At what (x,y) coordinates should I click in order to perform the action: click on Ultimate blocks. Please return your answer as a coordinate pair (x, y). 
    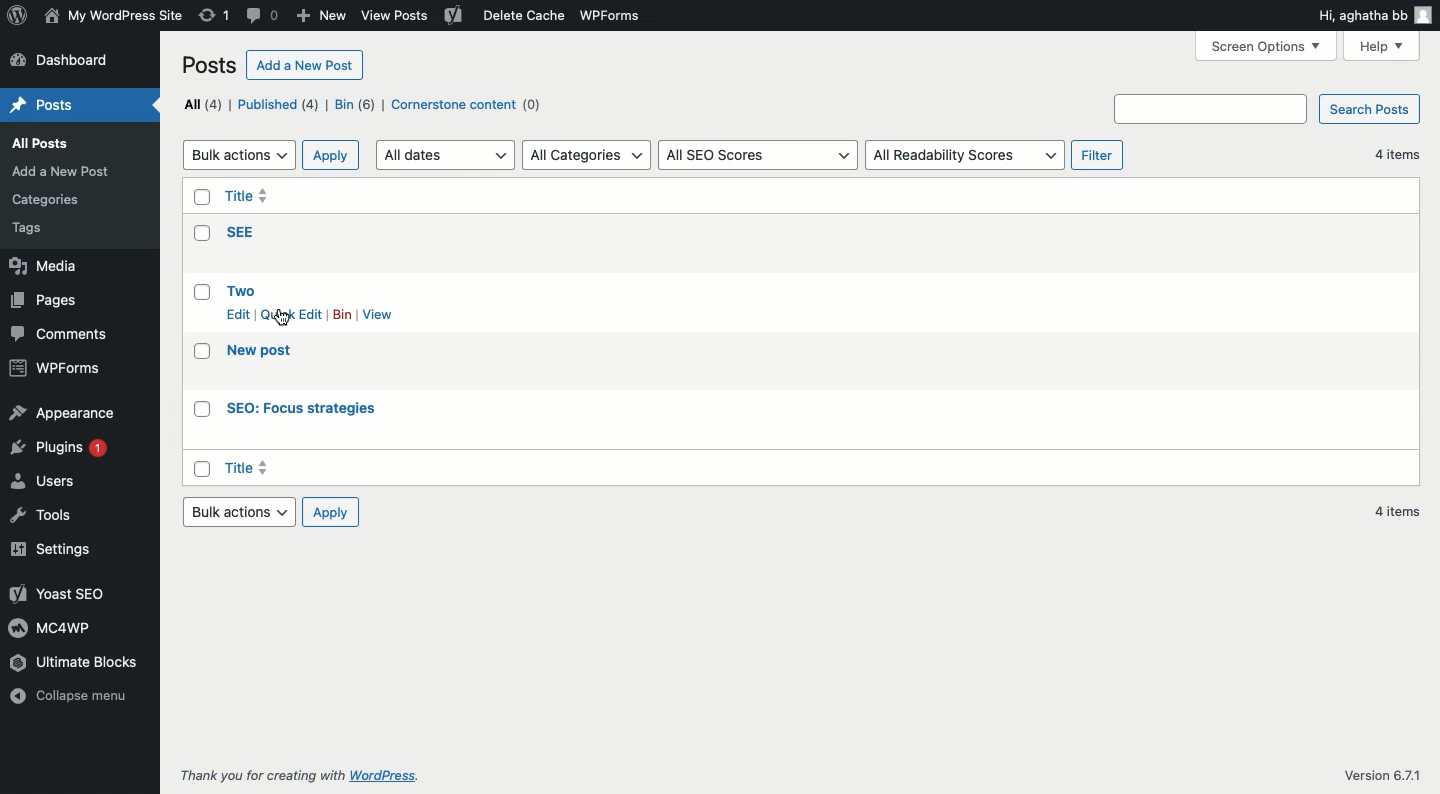
    Looking at the image, I should click on (89, 663).